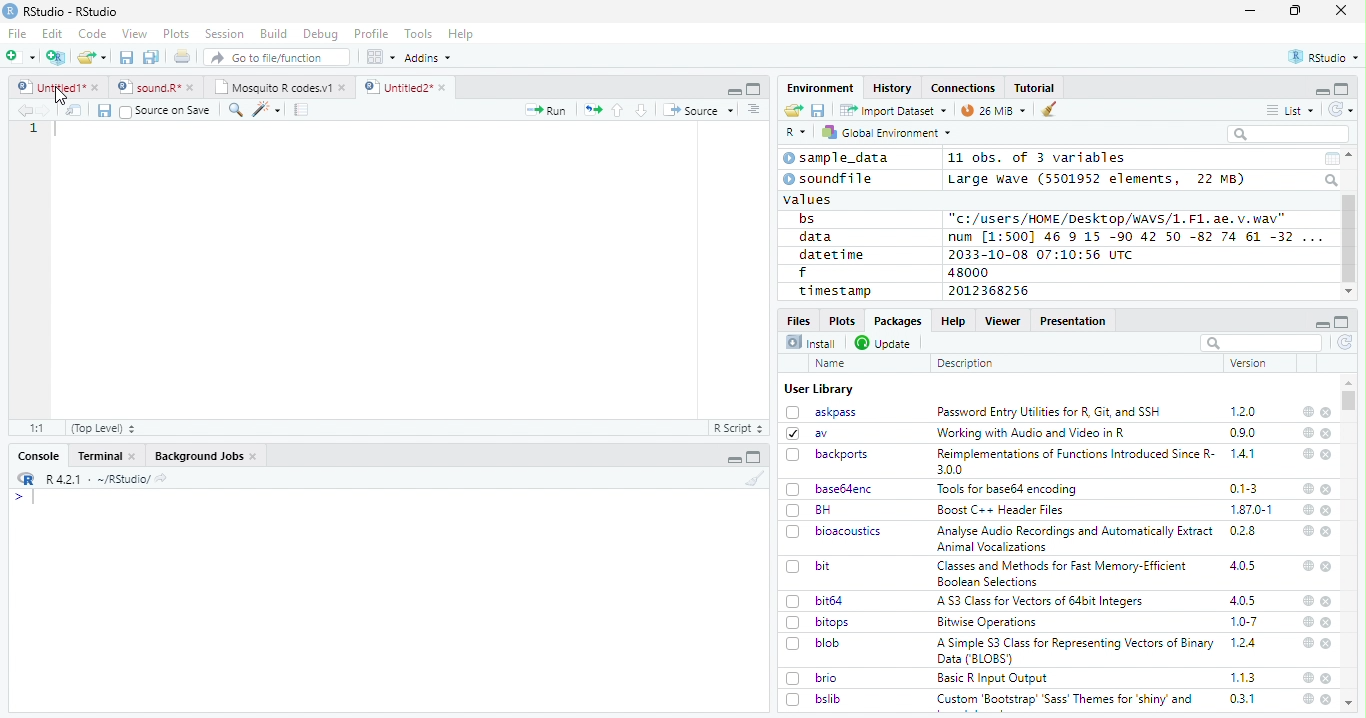  What do you see at coordinates (1325, 58) in the screenshot?
I see `RStudio` at bounding box center [1325, 58].